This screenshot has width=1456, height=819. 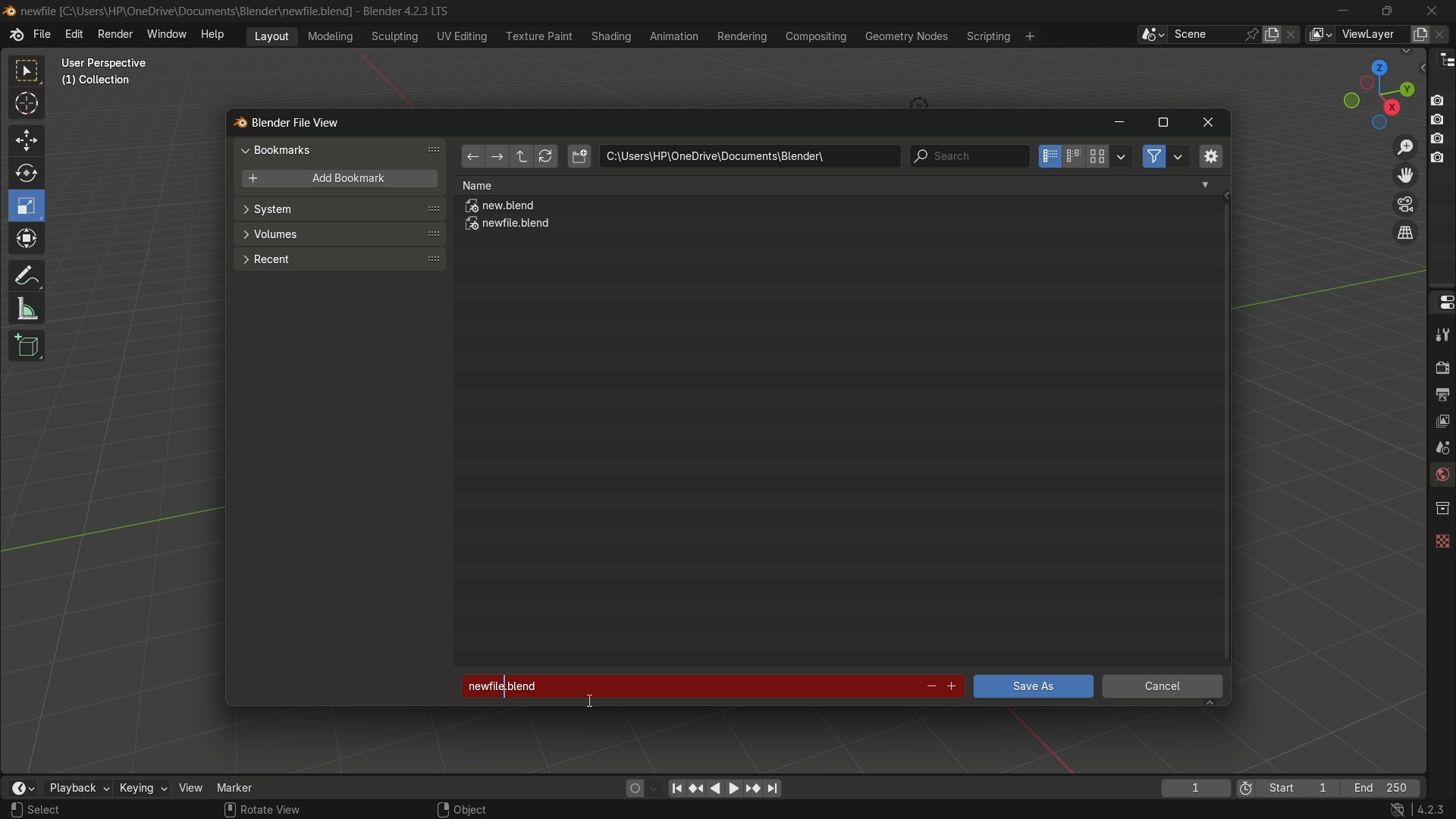 I want to click on new.blend file, so click(x=501, y=208).